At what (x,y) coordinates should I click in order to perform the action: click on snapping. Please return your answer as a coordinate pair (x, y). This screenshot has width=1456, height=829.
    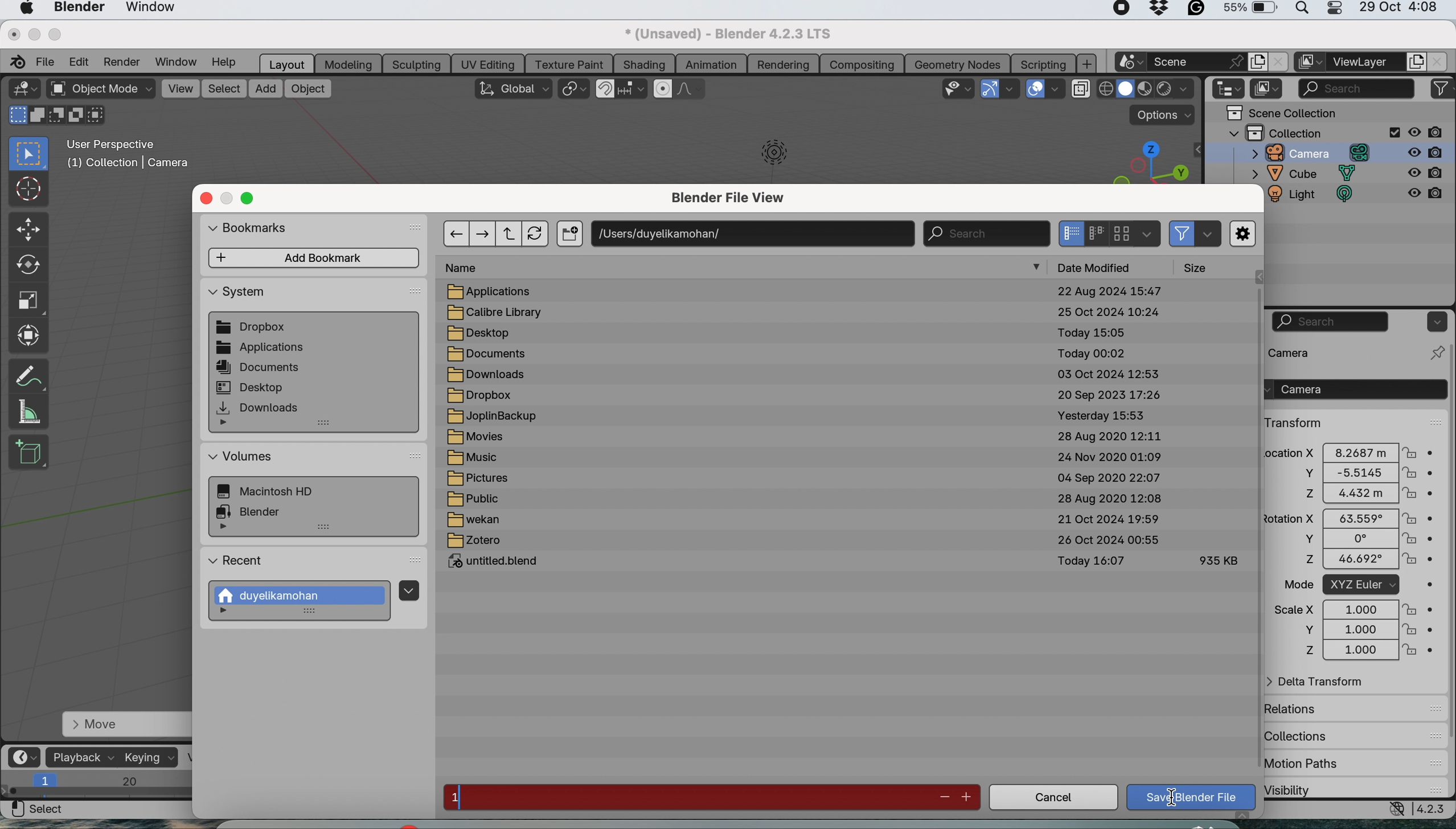
    Looking at the image, I should click on (633, 89).